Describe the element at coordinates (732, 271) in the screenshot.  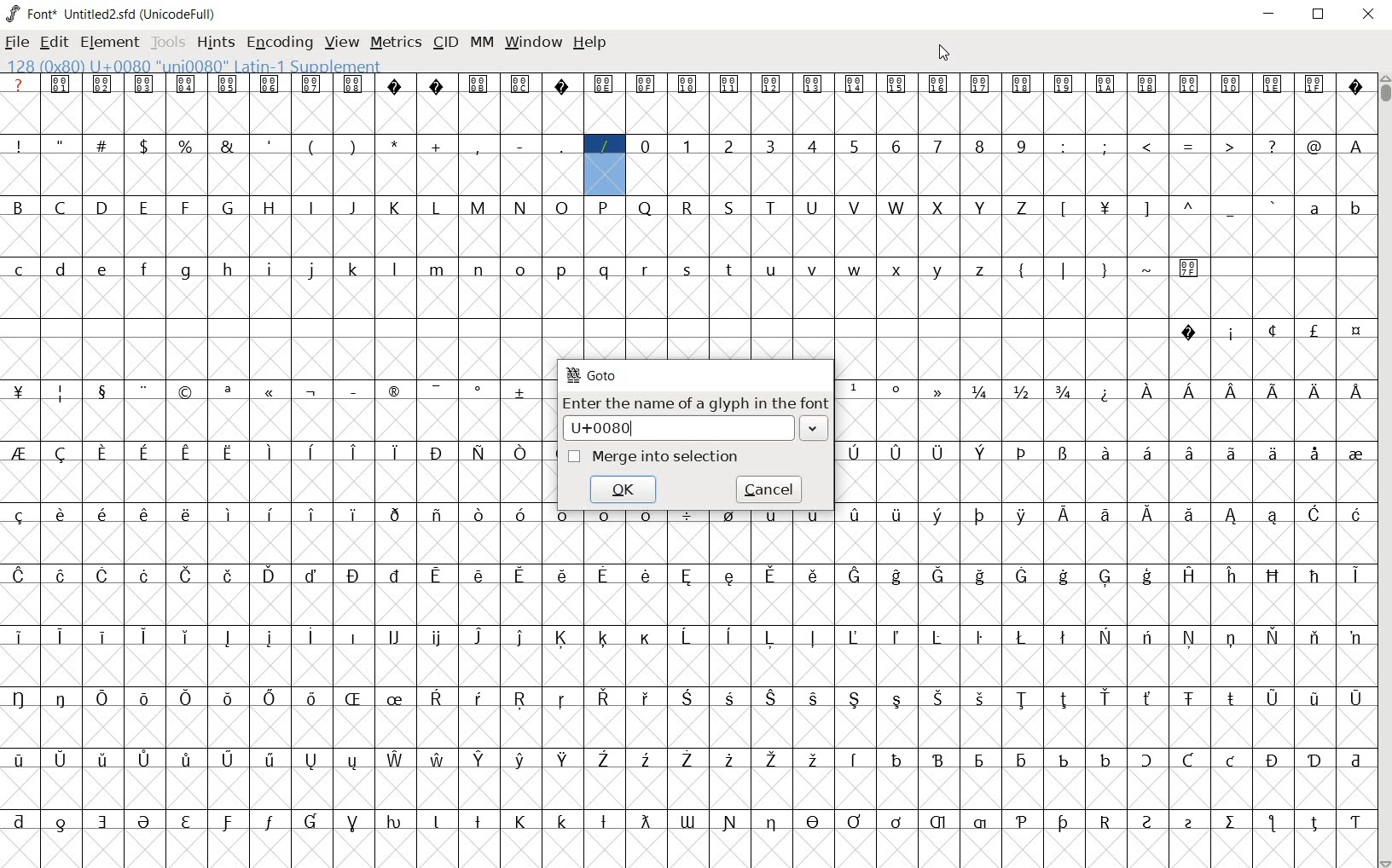
I see `glyph` at that location.